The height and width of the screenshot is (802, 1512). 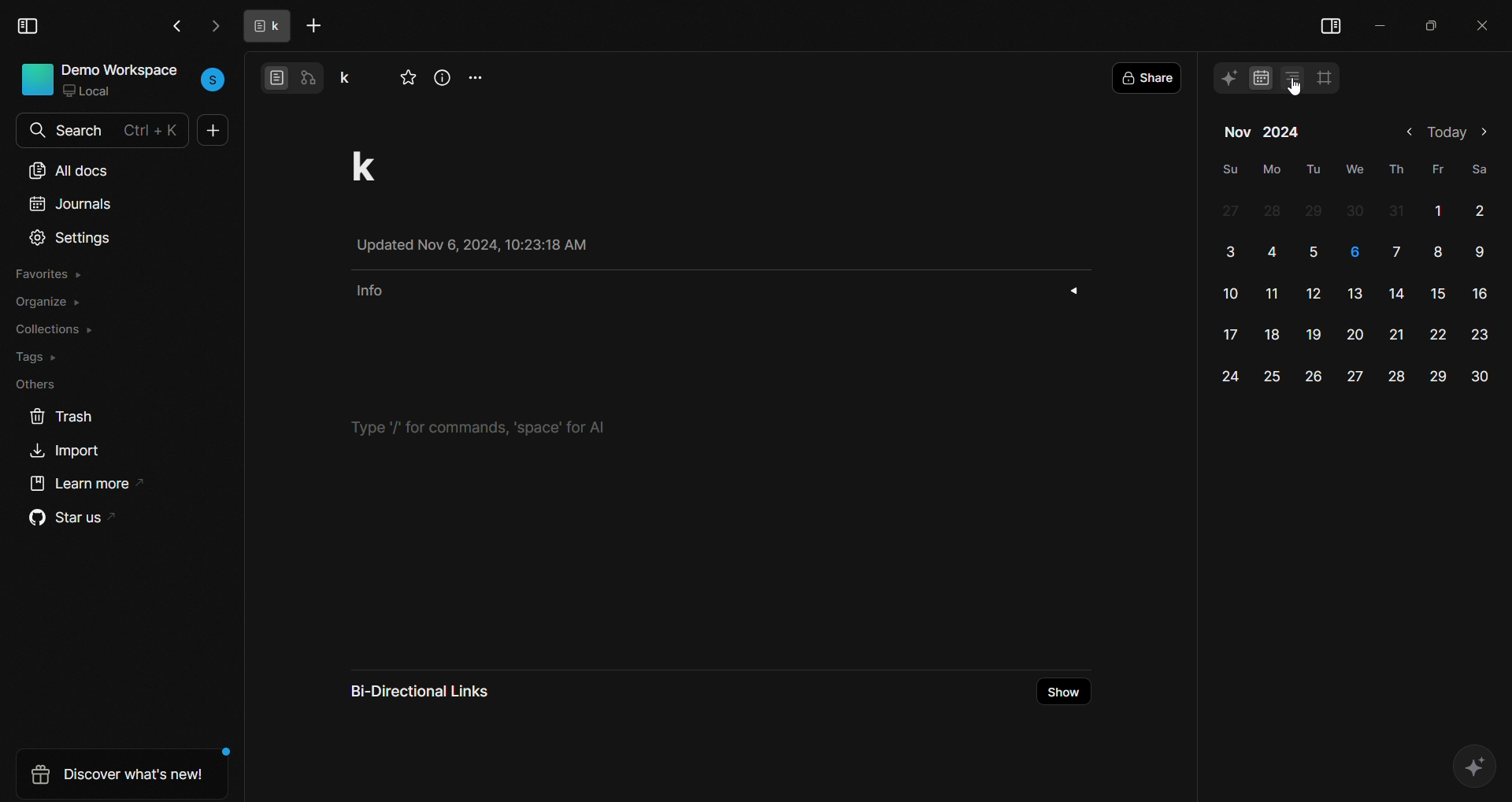 What do you see at coordinates (1356, 295) in the screenshot?
I see `12 3 4 5 6 7 8 9 10 11 12 13 14 15 16 17 18 19 20 21 22 23 24 25 26 27 28 29 30` at bounding box center [1356, 295].